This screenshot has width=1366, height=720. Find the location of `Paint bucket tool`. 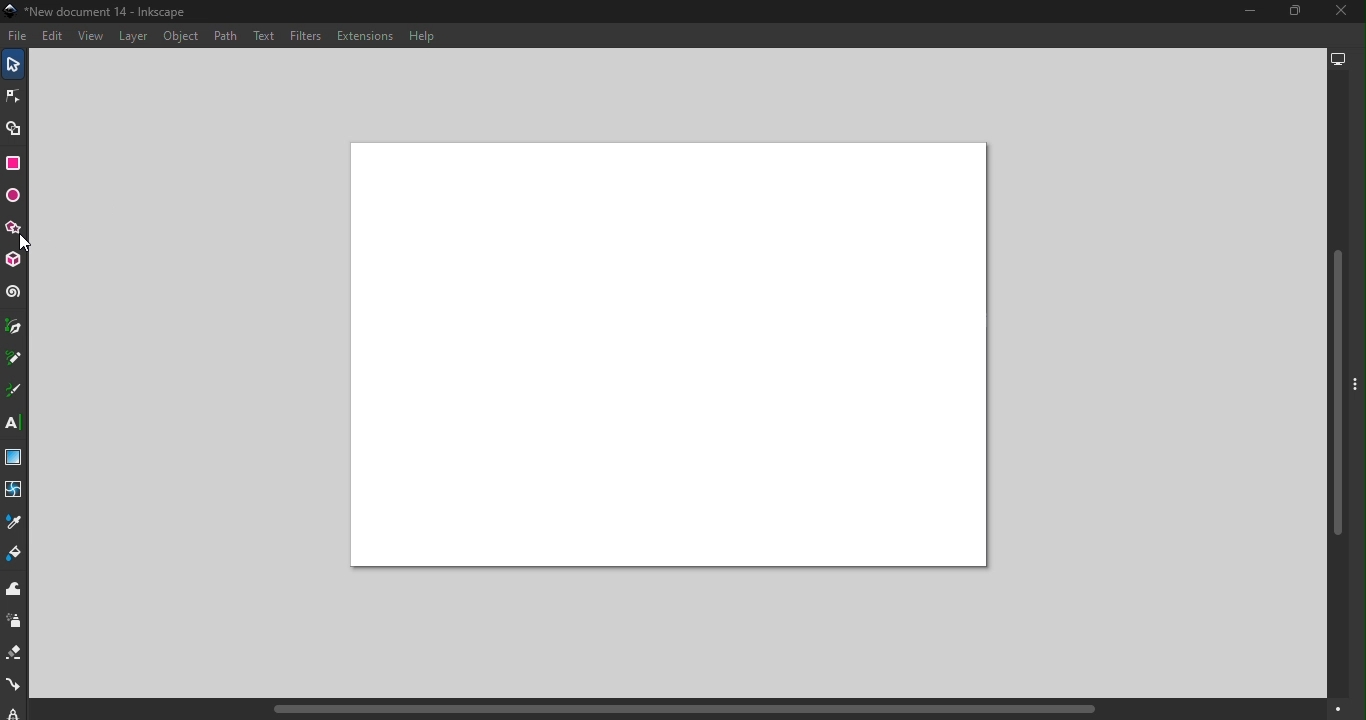

Paint bucket tool is located at coordinates (16, 556).